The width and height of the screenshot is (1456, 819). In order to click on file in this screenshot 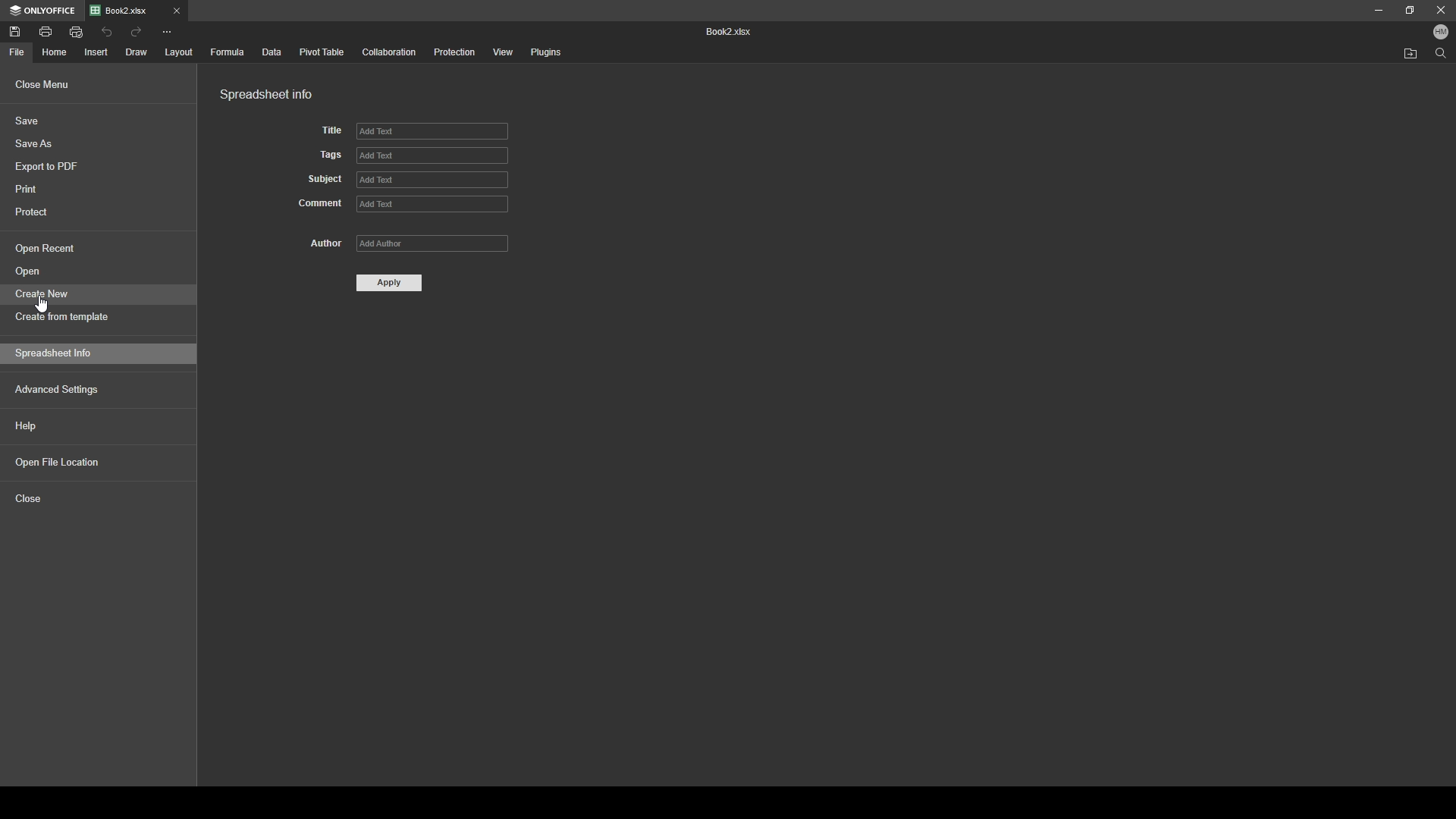, I will do `click(19, 52)`.